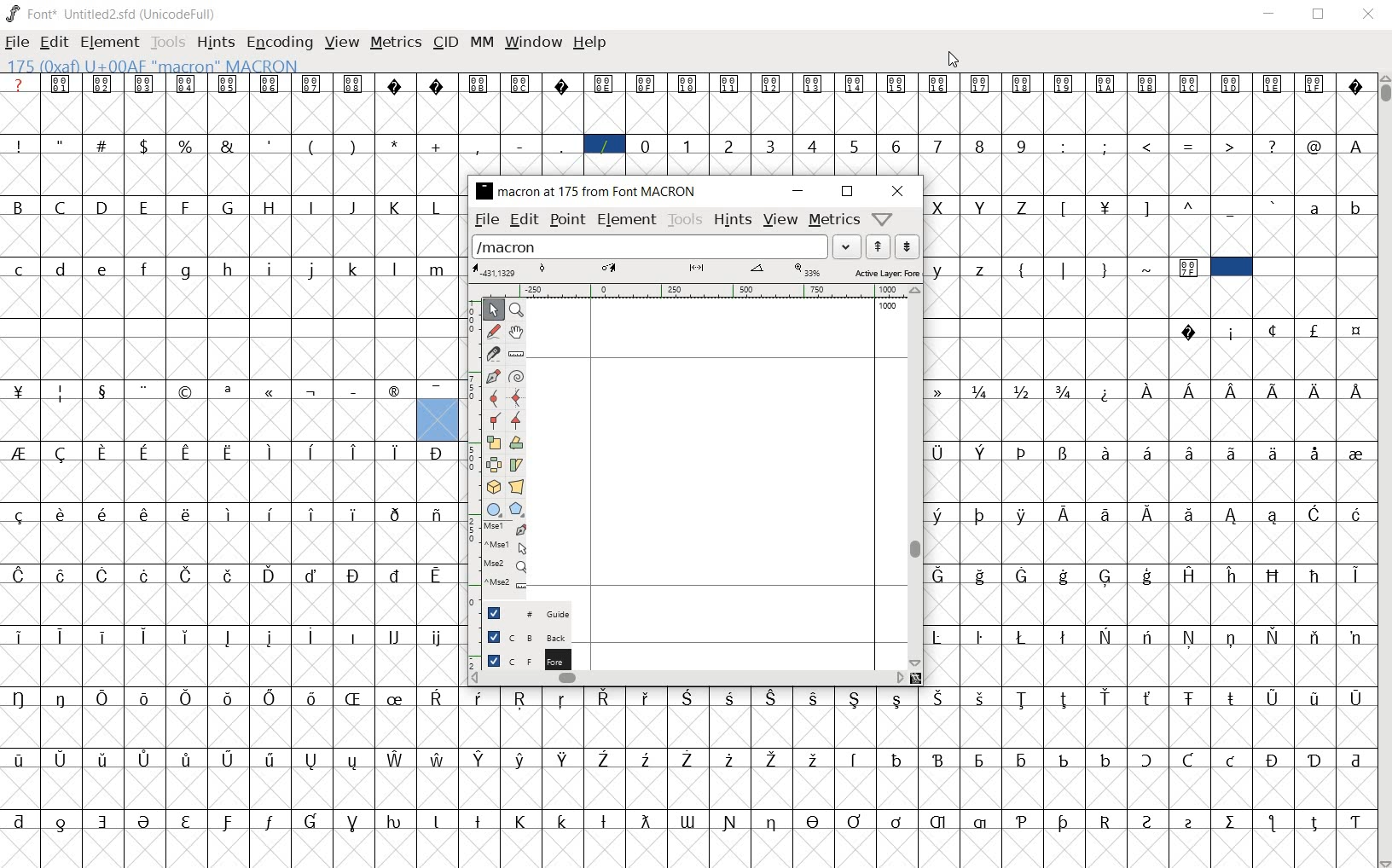 This screenshot has width=1392, height=868. I want to click on A, so click(1358, 145).